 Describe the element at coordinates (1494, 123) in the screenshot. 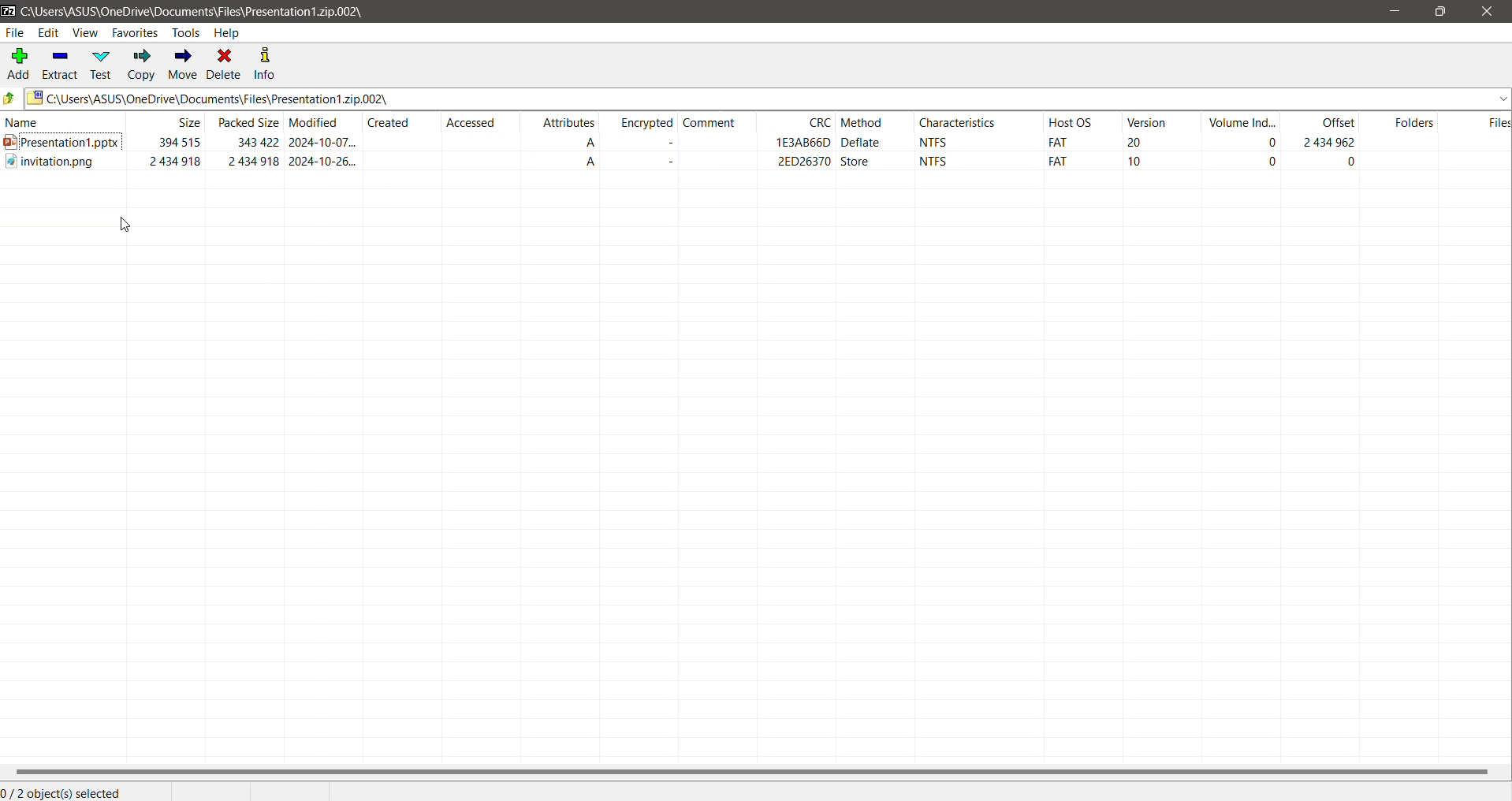

I see `File` at that location.